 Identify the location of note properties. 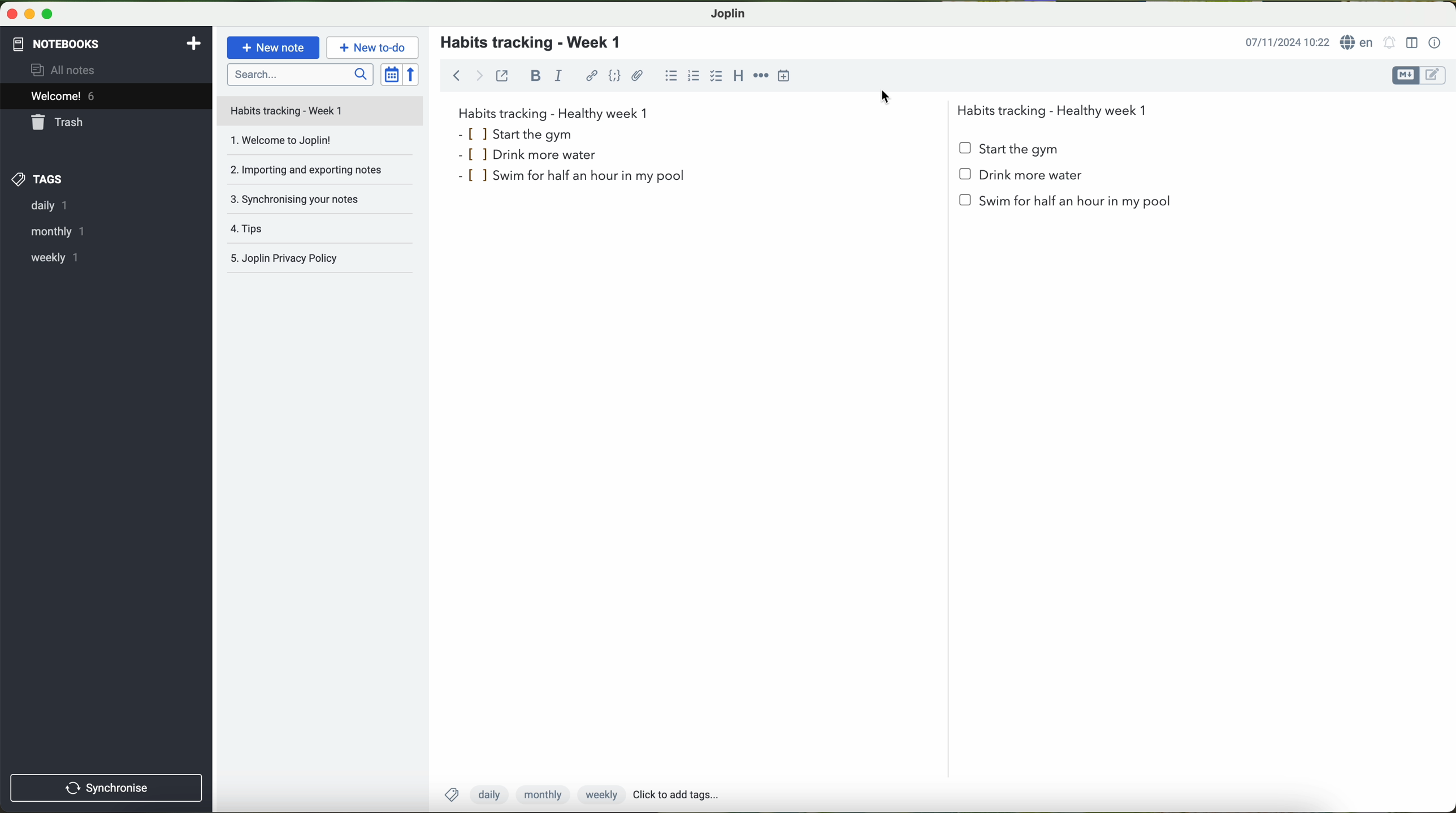
(1436, 44).